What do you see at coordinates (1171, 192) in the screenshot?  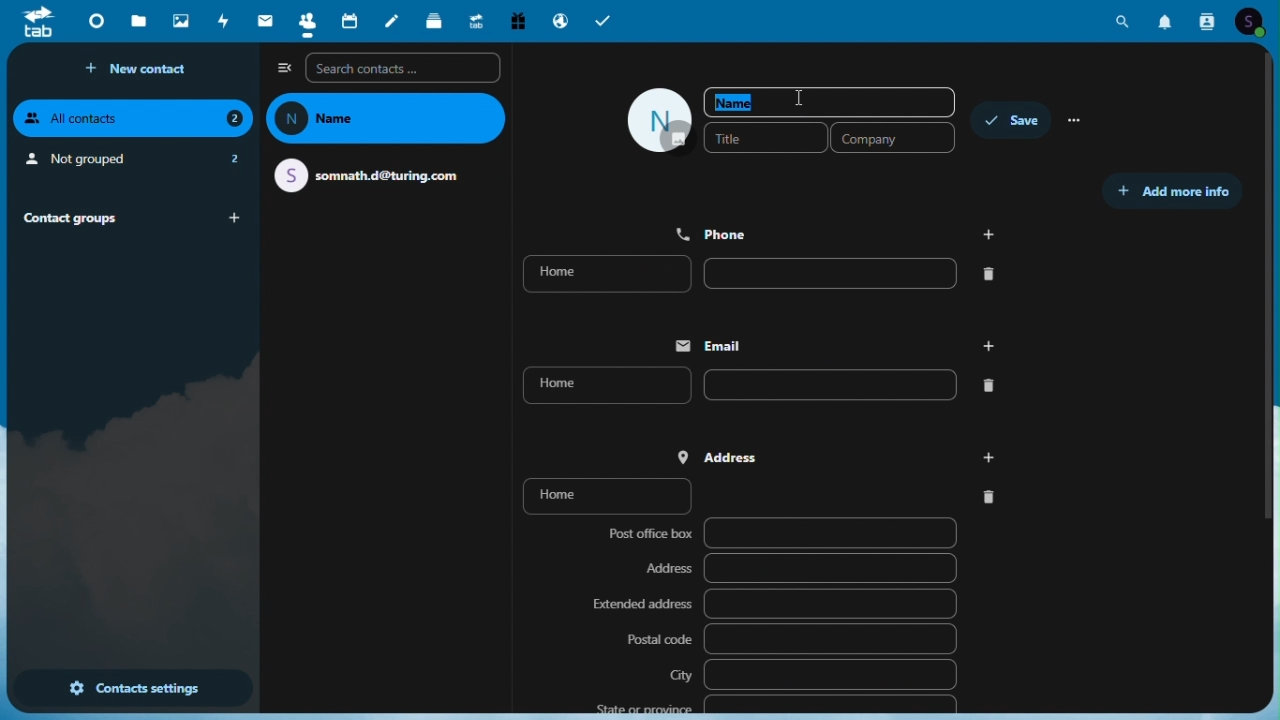 I see `Add more info` at bounding box center [1171, 192].